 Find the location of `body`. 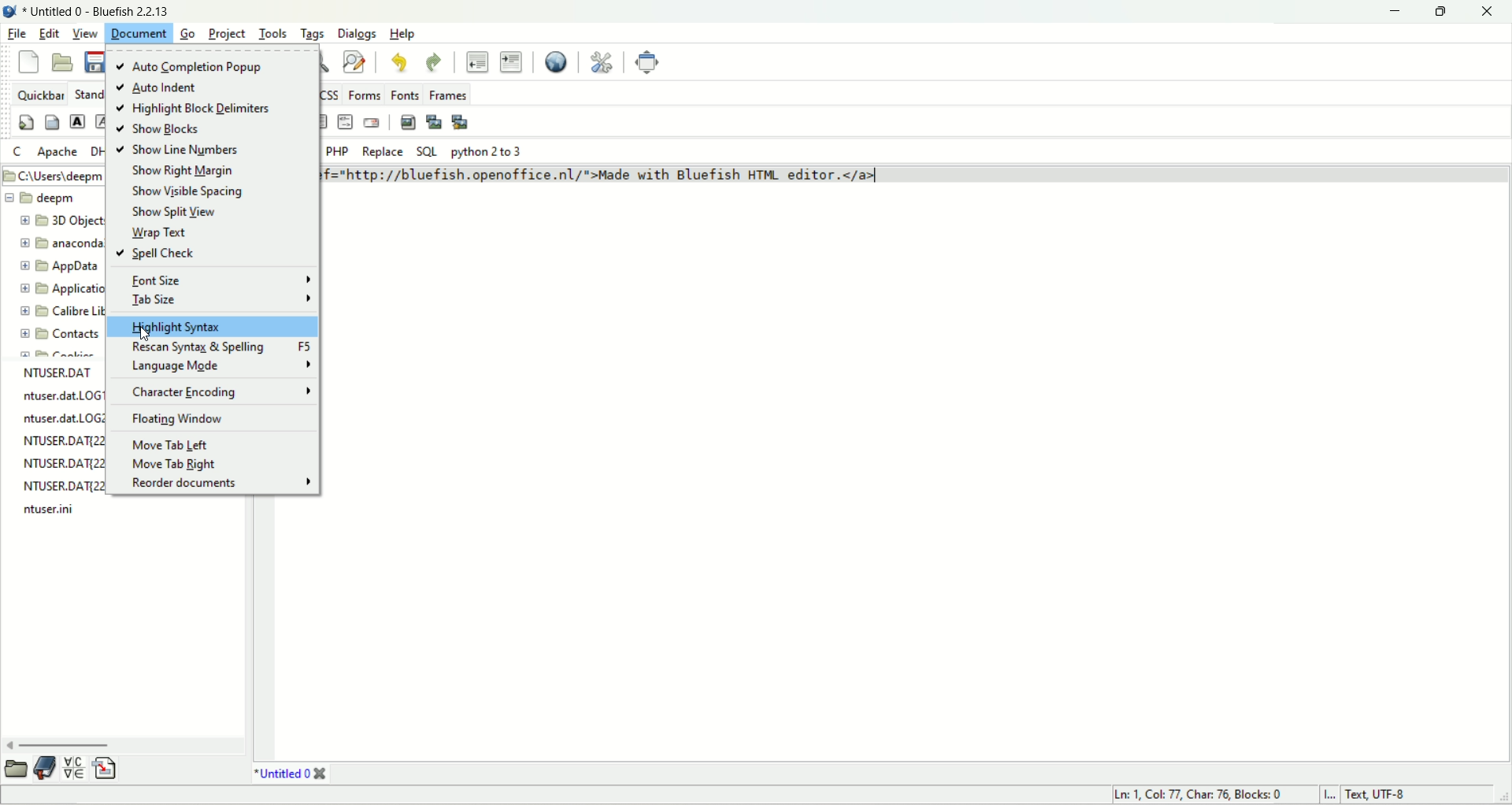

body is located at coordinates (52, 124).